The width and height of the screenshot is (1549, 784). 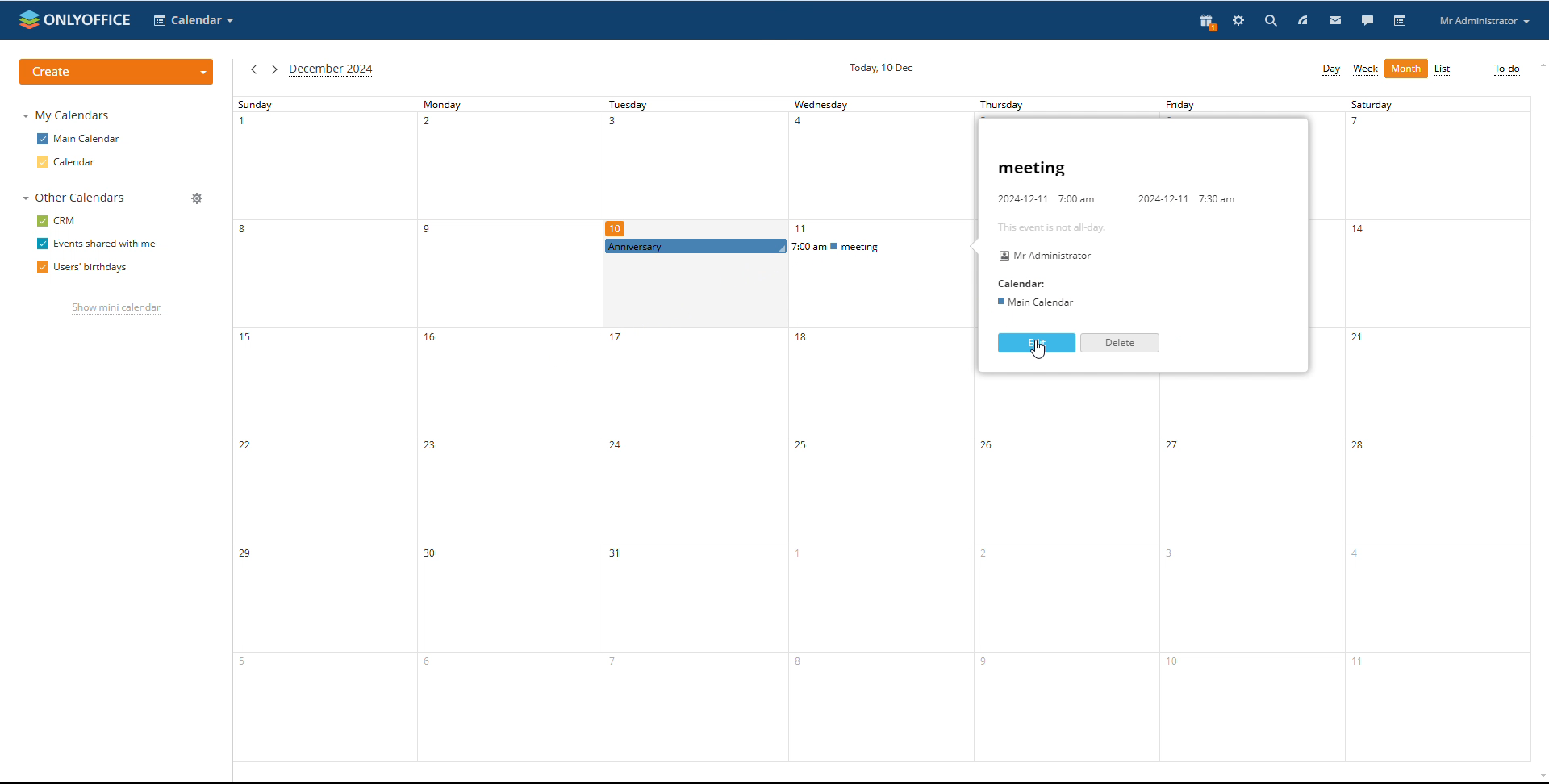 I want to click on other calendars, so click(x=74, y=198).